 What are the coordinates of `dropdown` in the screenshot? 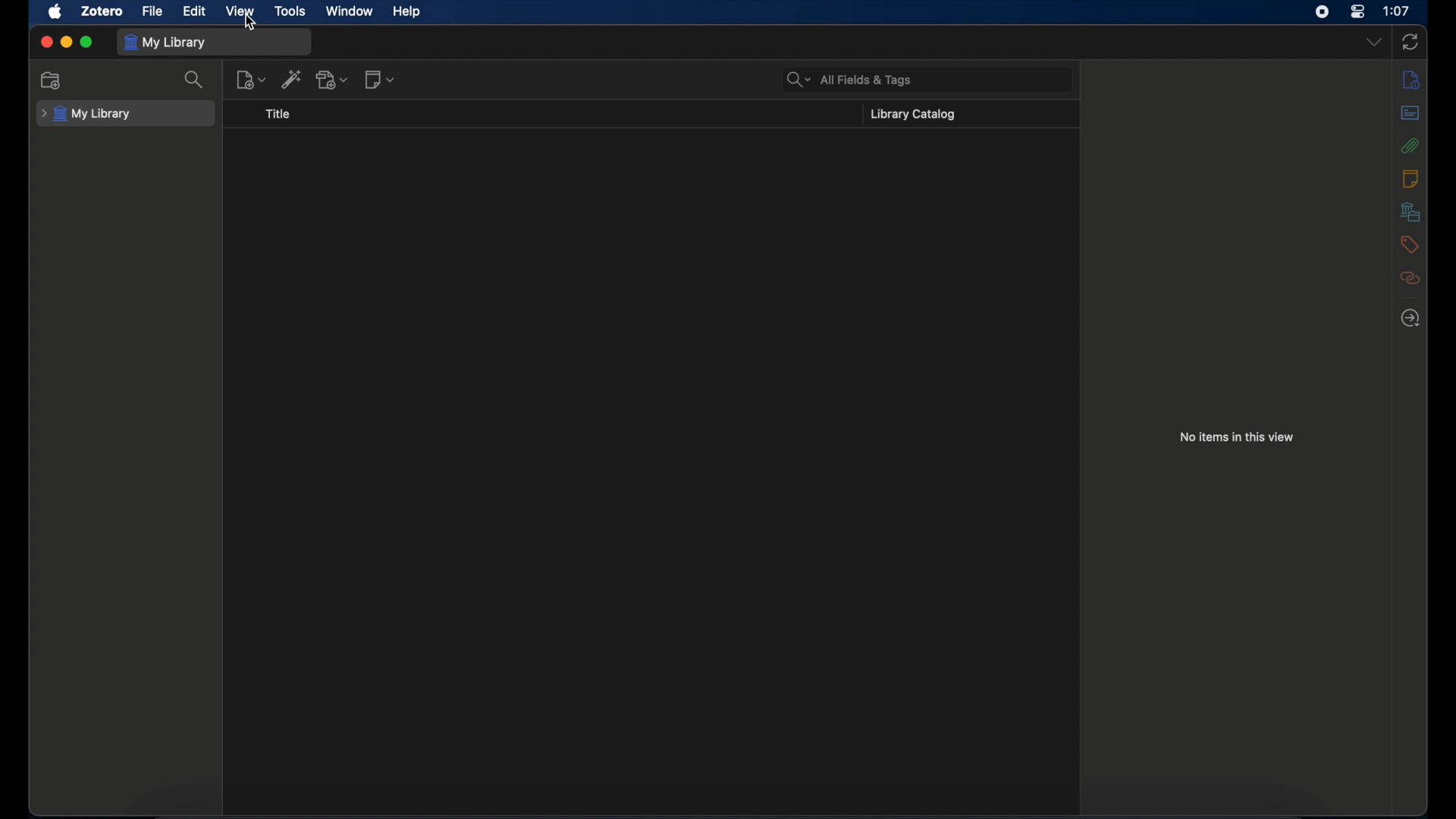 It's located at (1375, 42).